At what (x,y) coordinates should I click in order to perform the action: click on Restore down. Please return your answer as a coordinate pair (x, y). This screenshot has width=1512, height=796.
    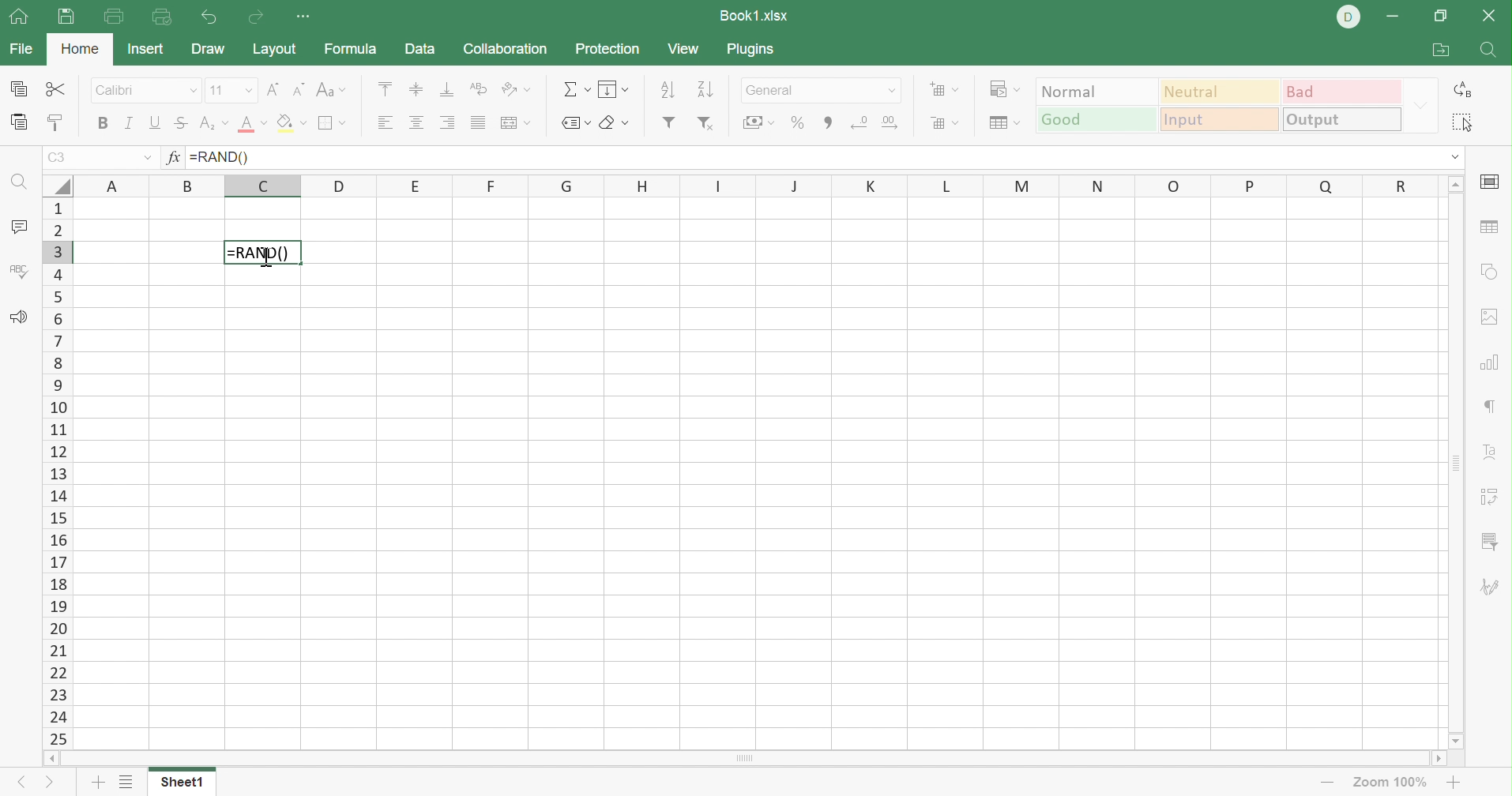
    Looking at the image, I should click on (1442, 16).